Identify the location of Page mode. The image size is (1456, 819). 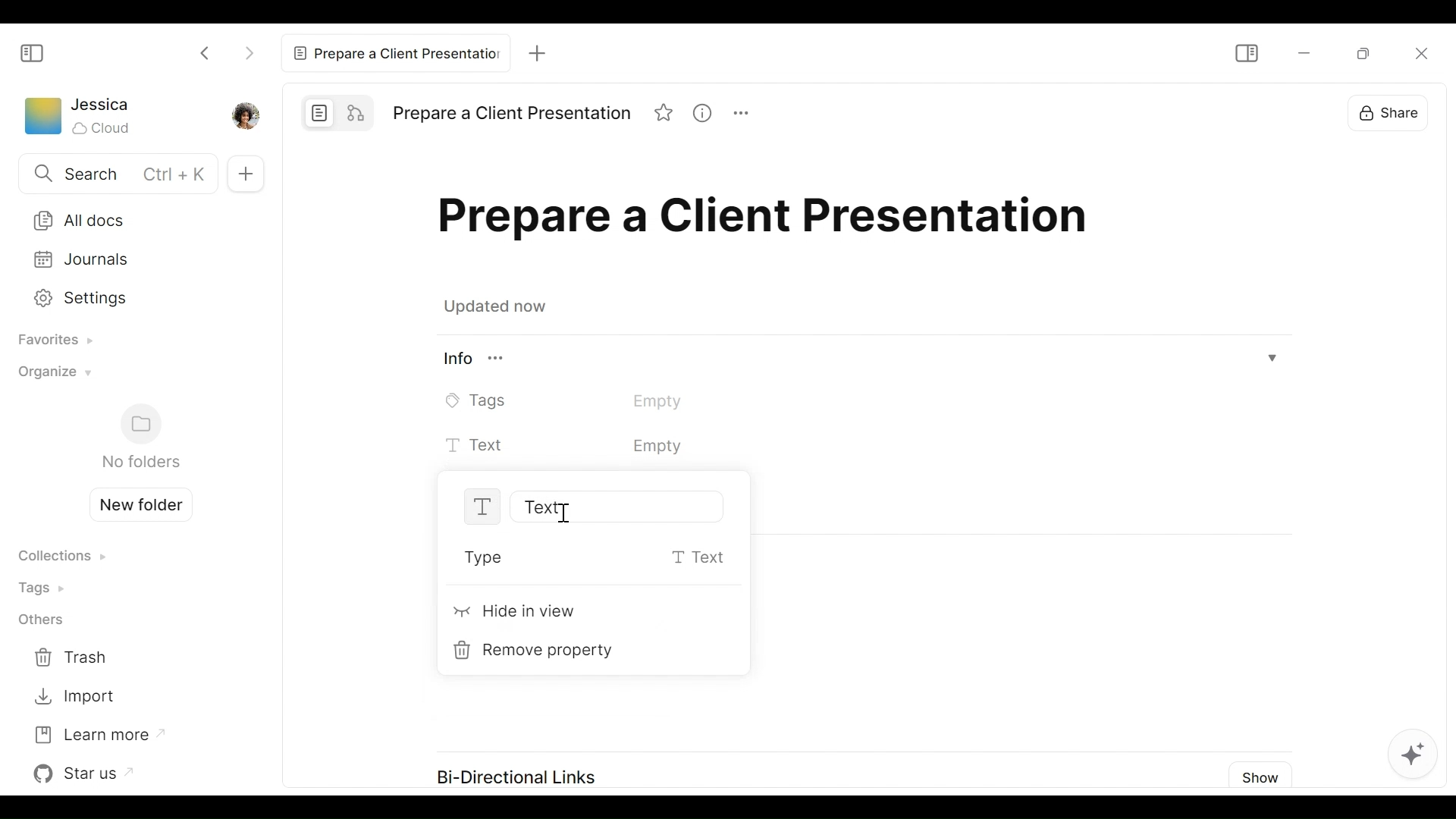
(320, 112).